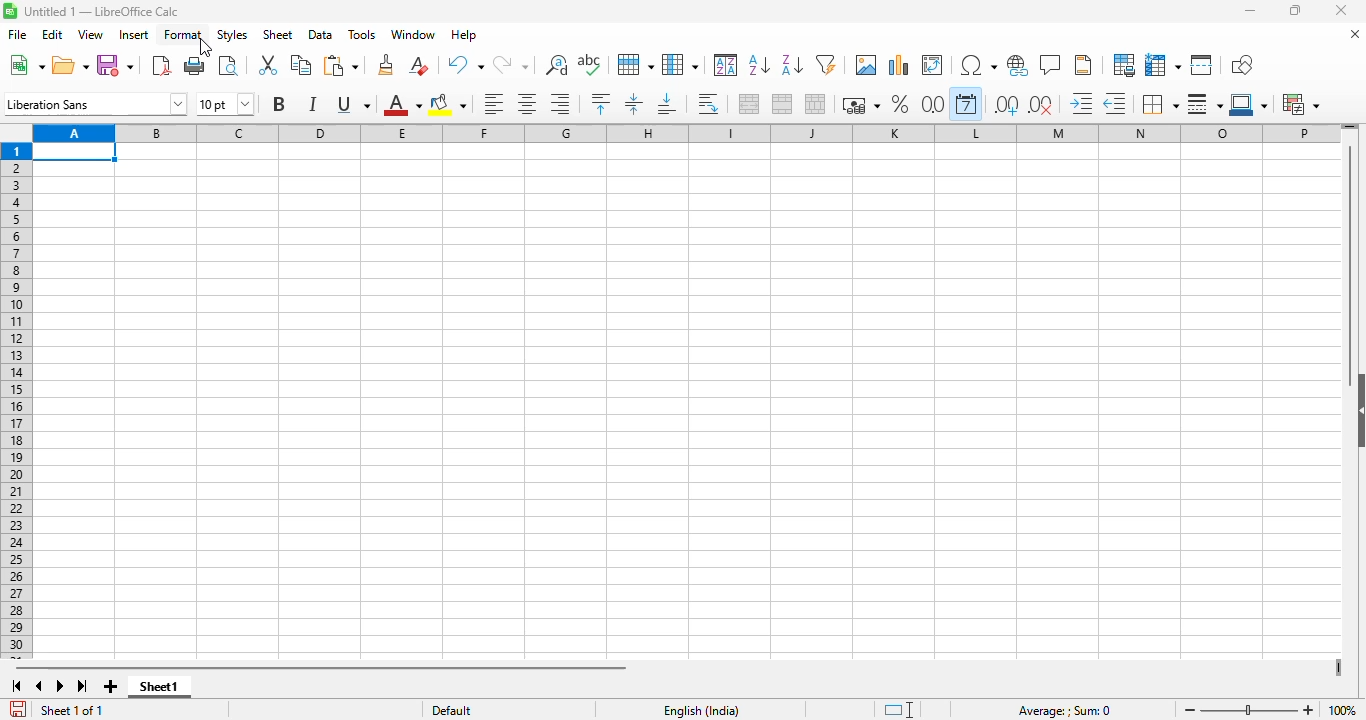 This screenshot has width=1366, height=720. Describe the element at coordinates (19, 709) in the screenshot. I see `click to save the document` at that location.